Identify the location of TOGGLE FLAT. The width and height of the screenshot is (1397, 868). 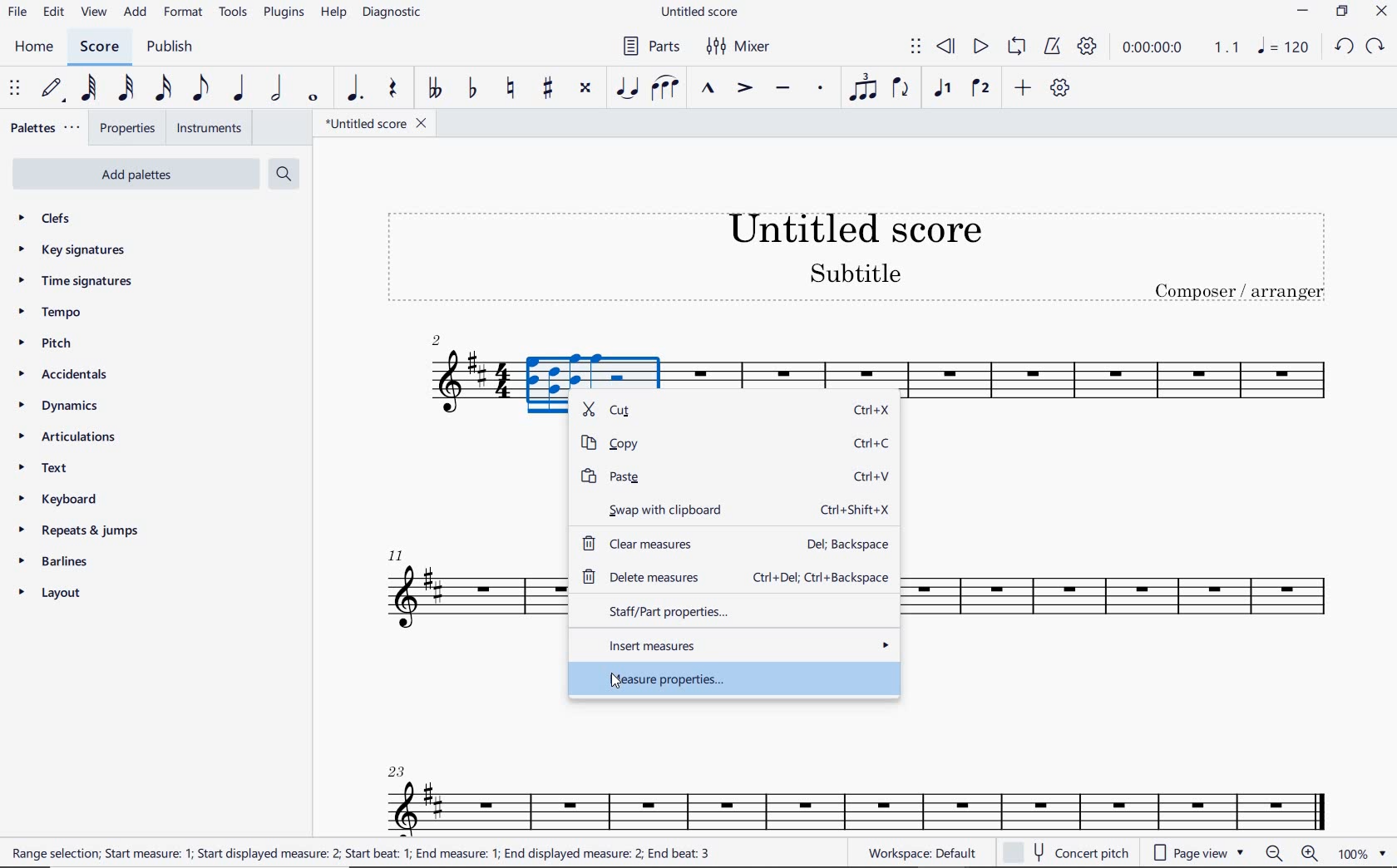
(473, 90).